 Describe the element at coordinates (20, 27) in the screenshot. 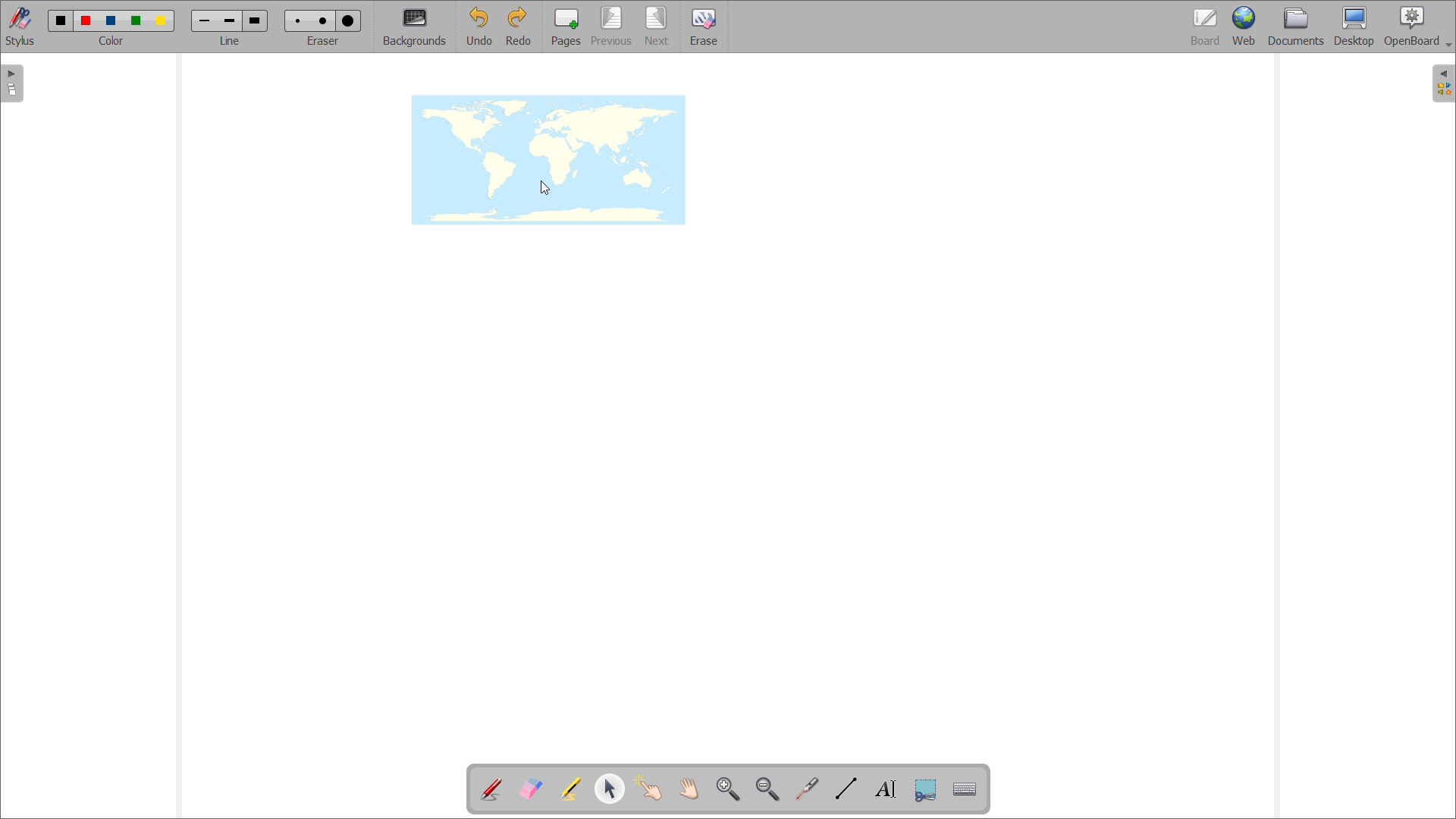

I see `toggle stylus` at that location.